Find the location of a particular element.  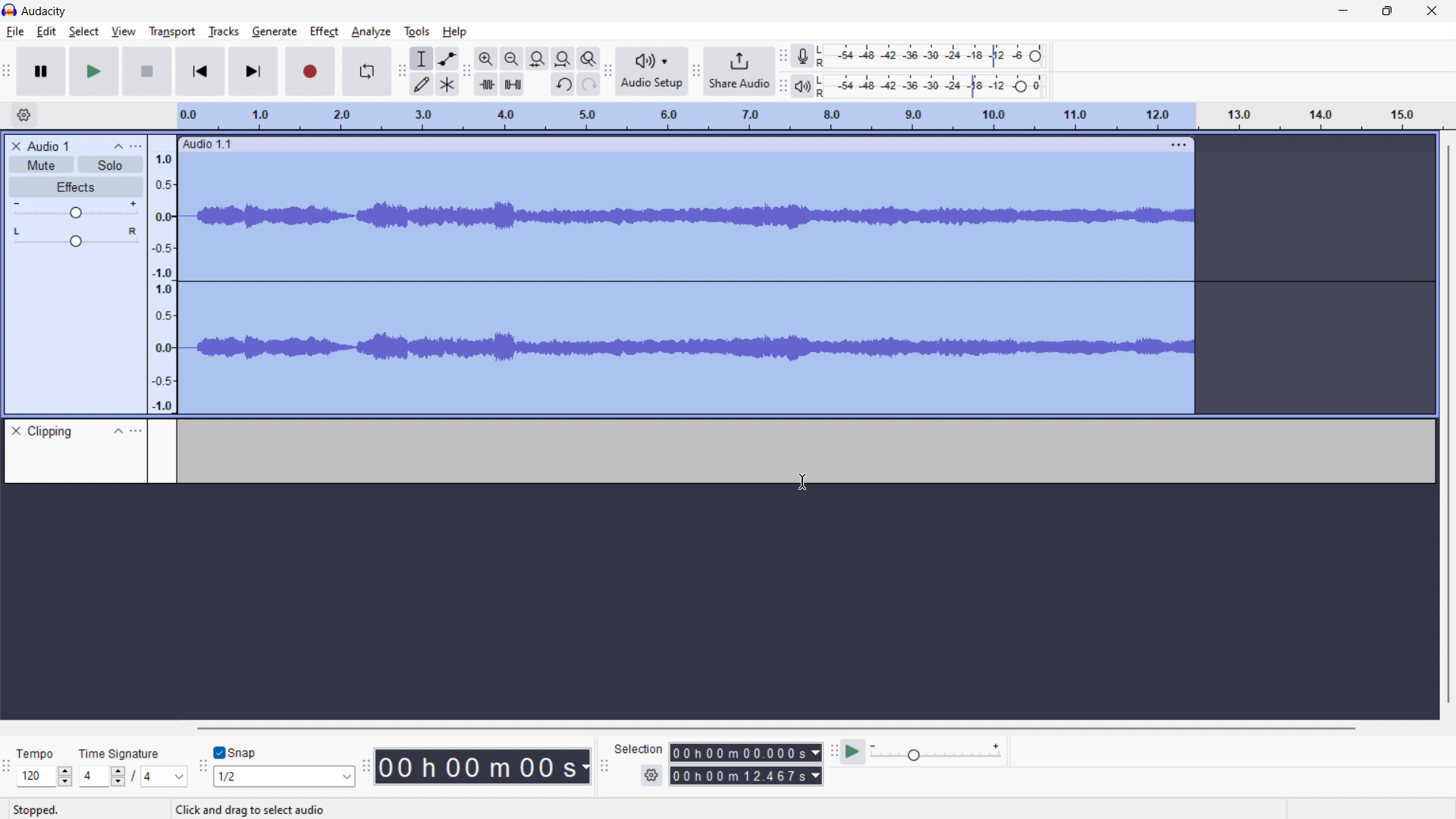

undo is located at coordinates (563, 84).